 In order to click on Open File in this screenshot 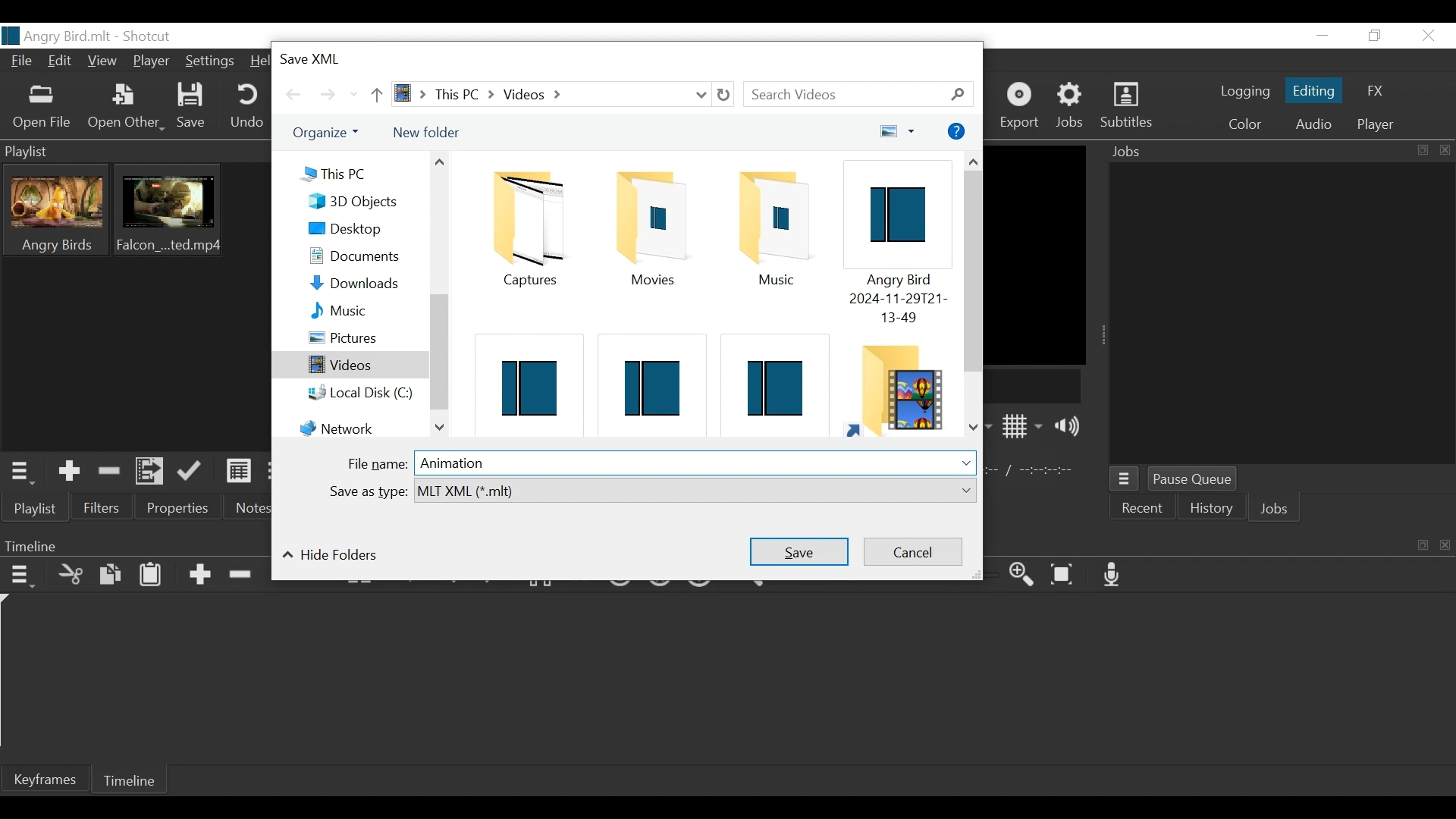, I will do `click(39, 108)`.